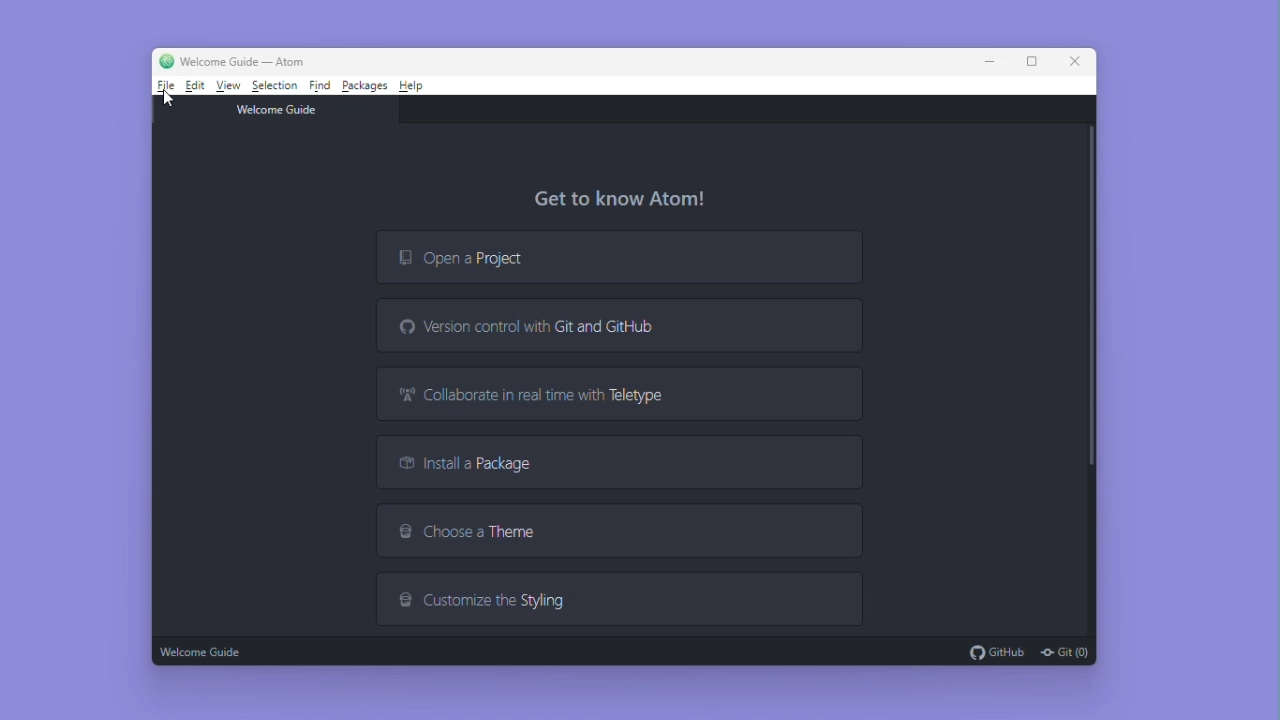  Describe the element at coordinates (621, 599) in the screenshot. I see `Customize the styling` at that location.